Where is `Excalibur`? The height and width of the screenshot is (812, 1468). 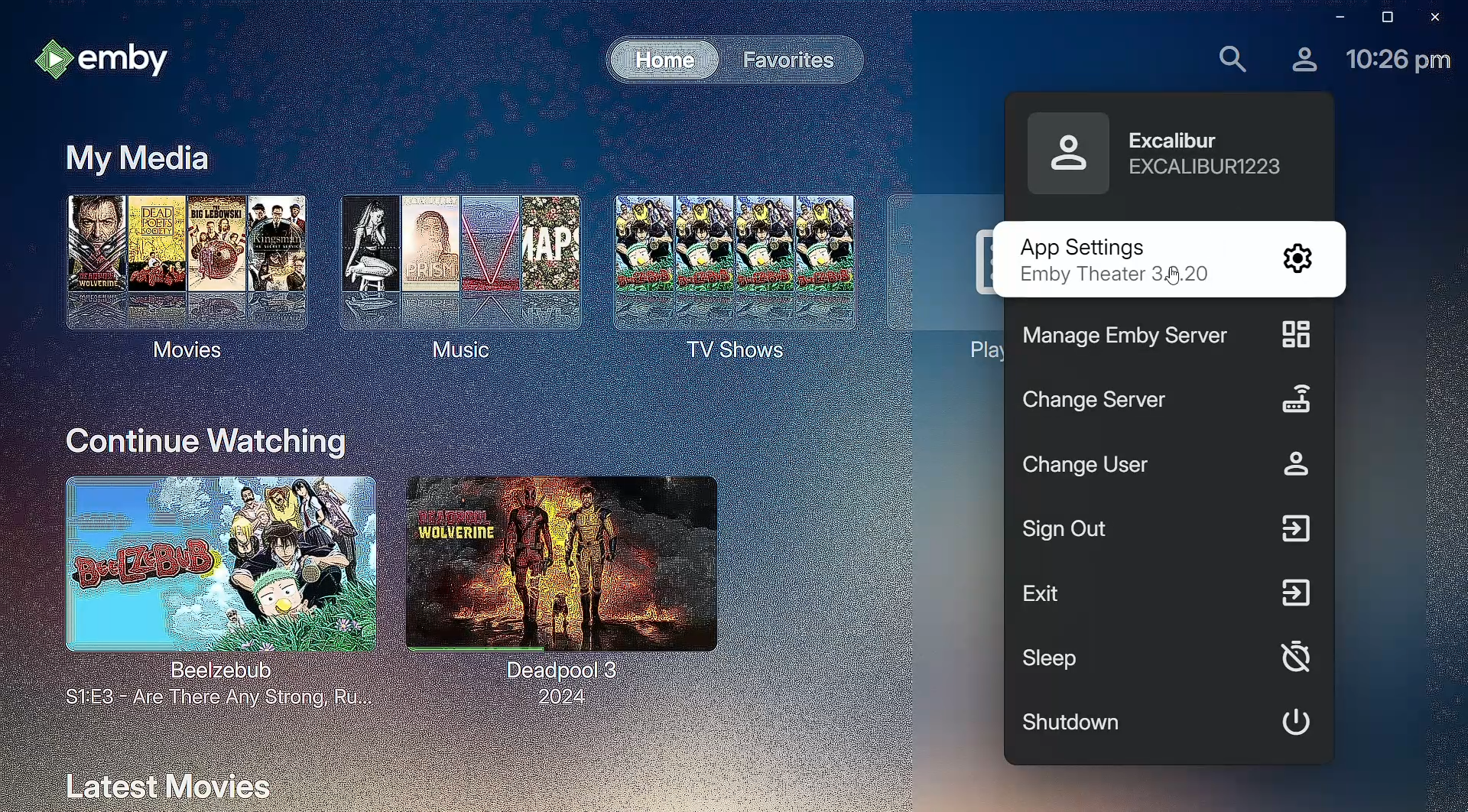
Excalibur is located at coordinates (1156, 158).